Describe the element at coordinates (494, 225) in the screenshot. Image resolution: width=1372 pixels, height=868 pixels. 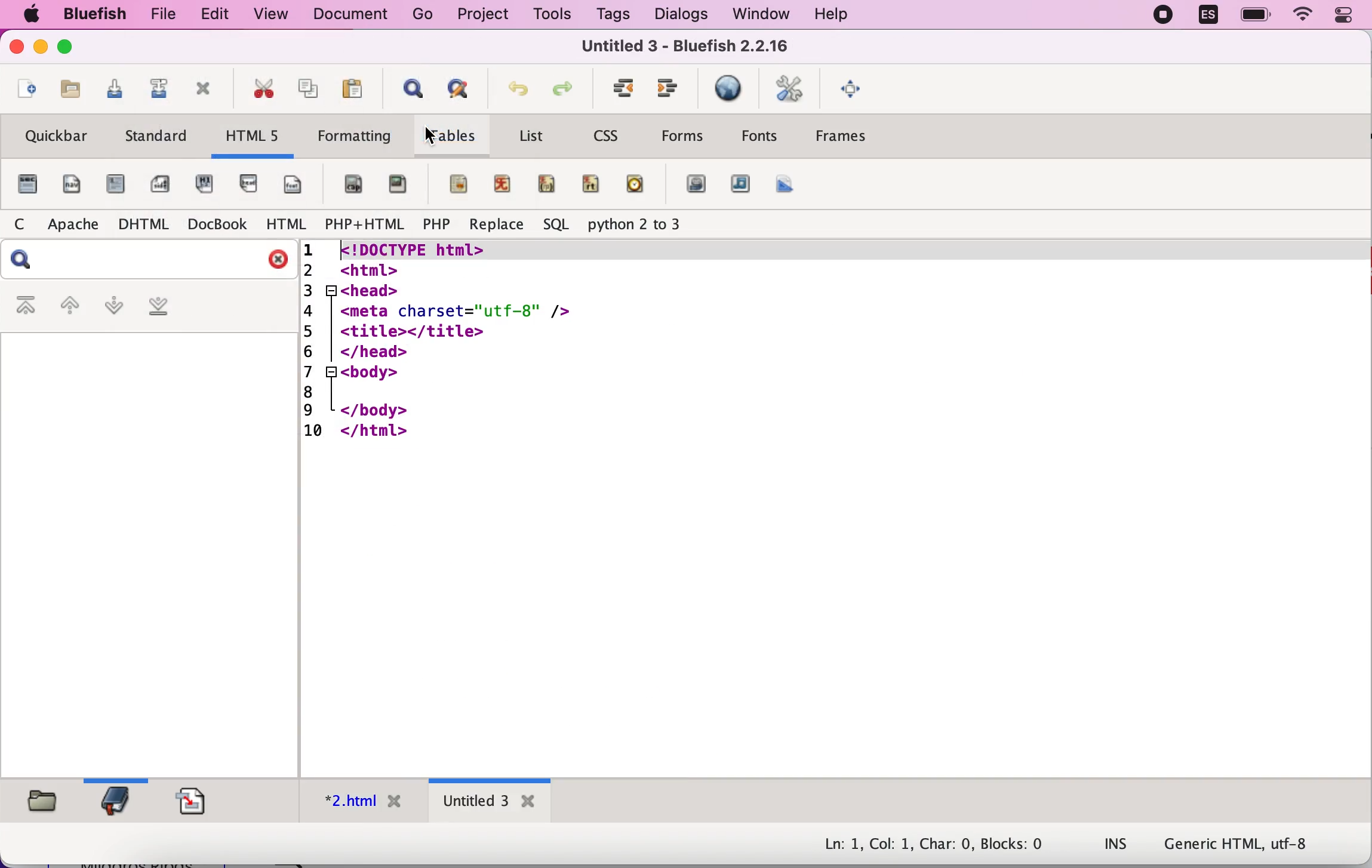
I see `replace` at that location.